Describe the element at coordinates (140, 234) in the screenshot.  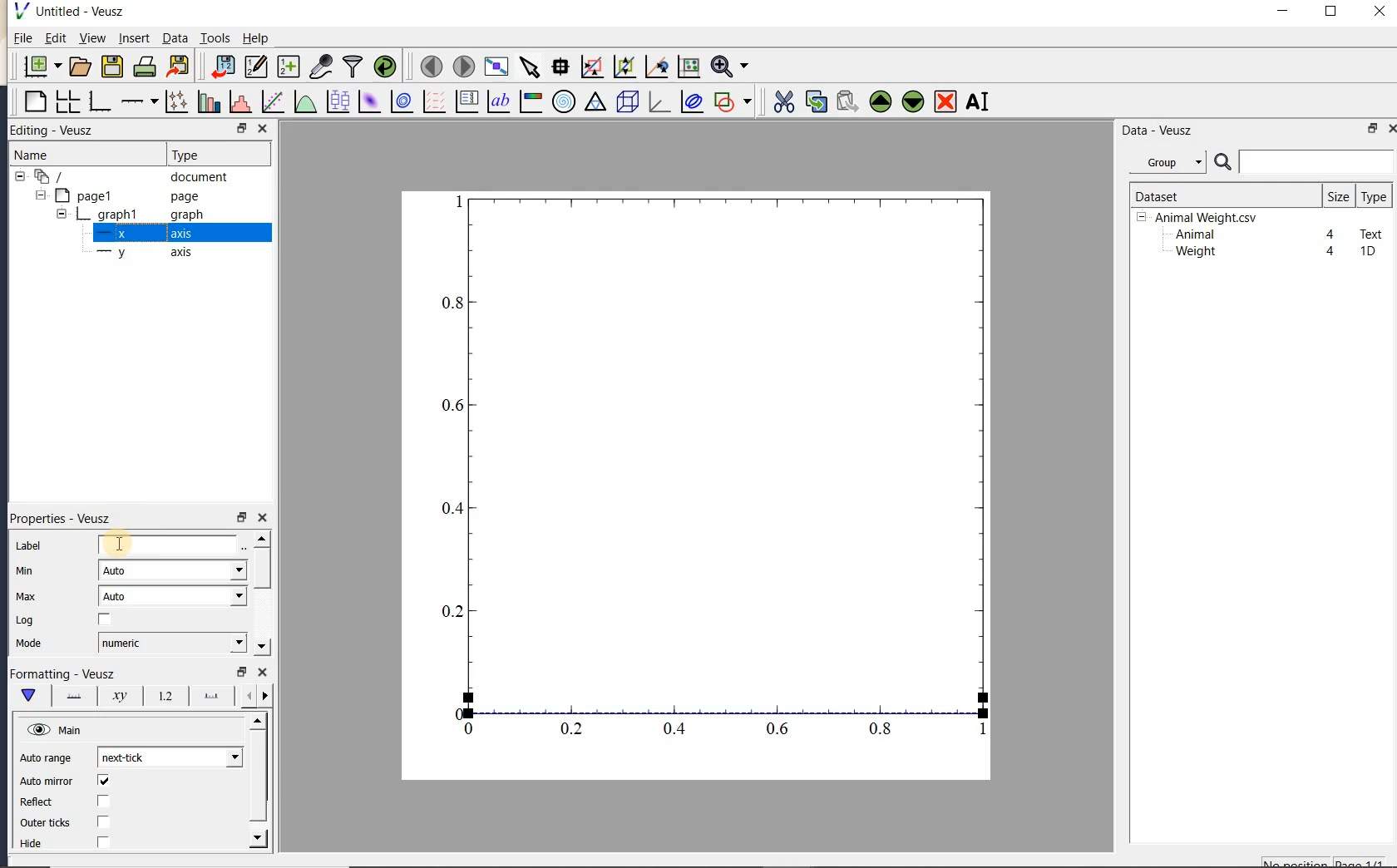
I see `axis` at that location.